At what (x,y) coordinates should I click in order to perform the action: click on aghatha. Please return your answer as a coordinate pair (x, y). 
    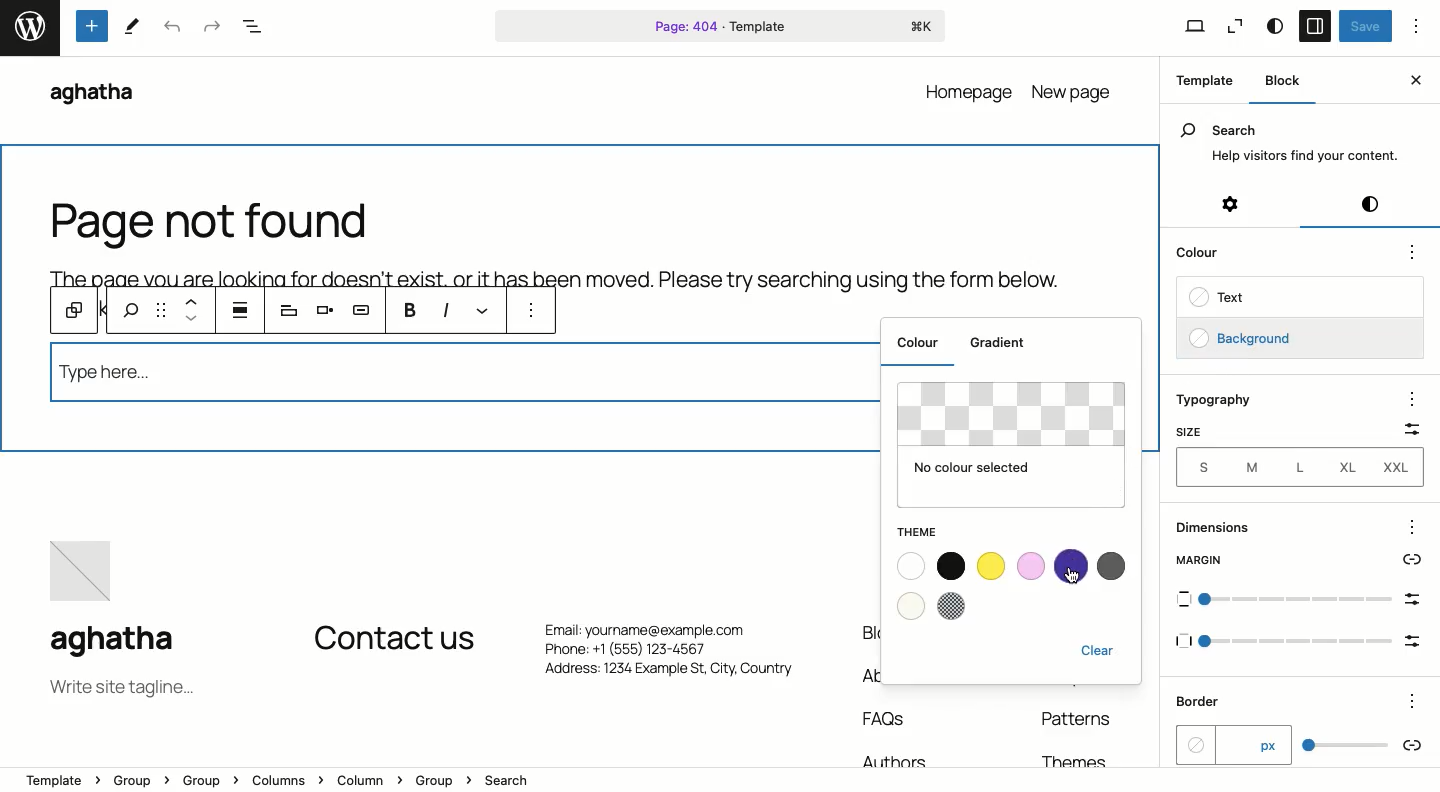
    Looking at the image, I should click on (129, 643).